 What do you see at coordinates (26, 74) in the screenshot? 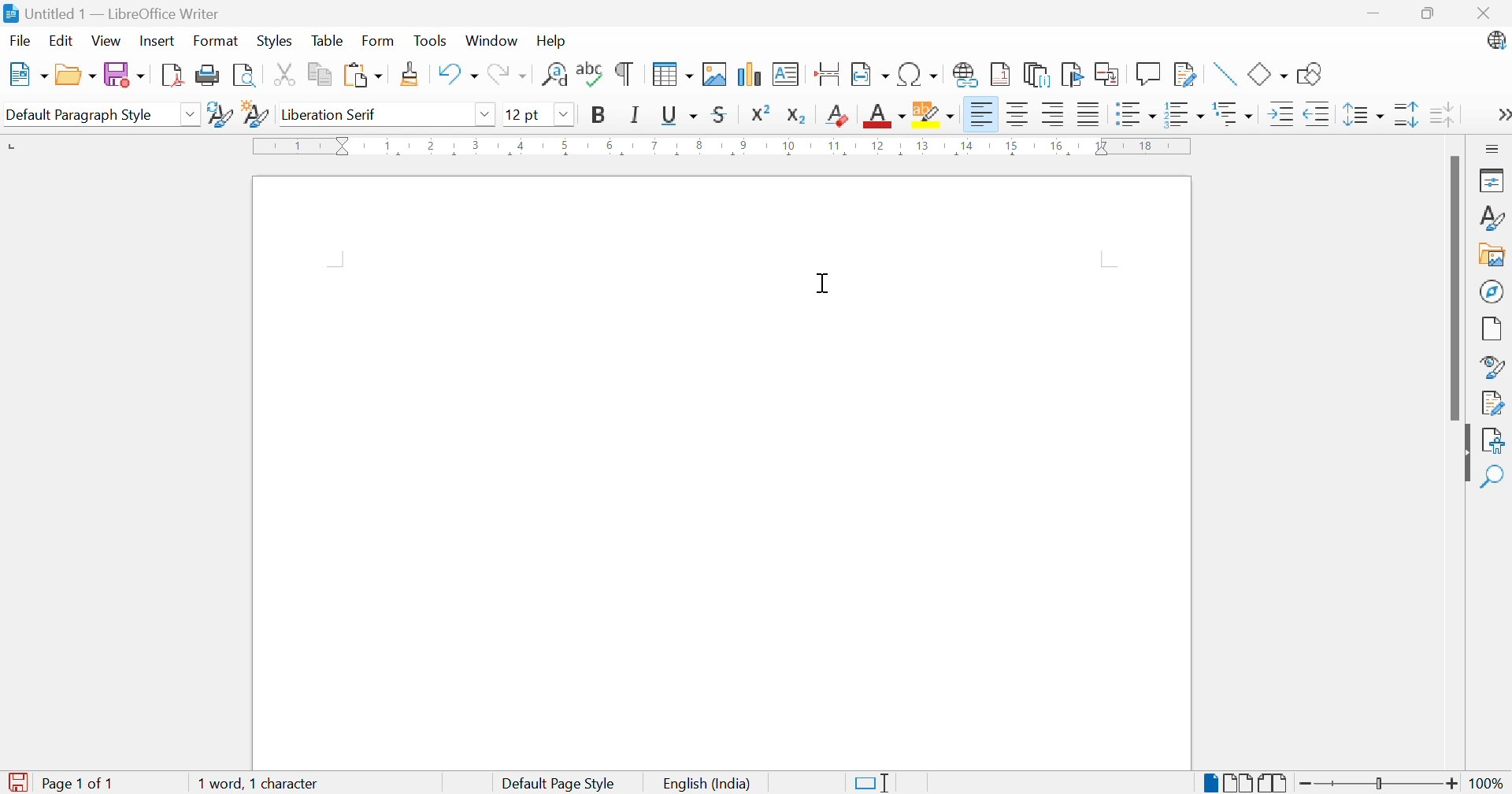
I see `New` at bounding box center [26, 74].